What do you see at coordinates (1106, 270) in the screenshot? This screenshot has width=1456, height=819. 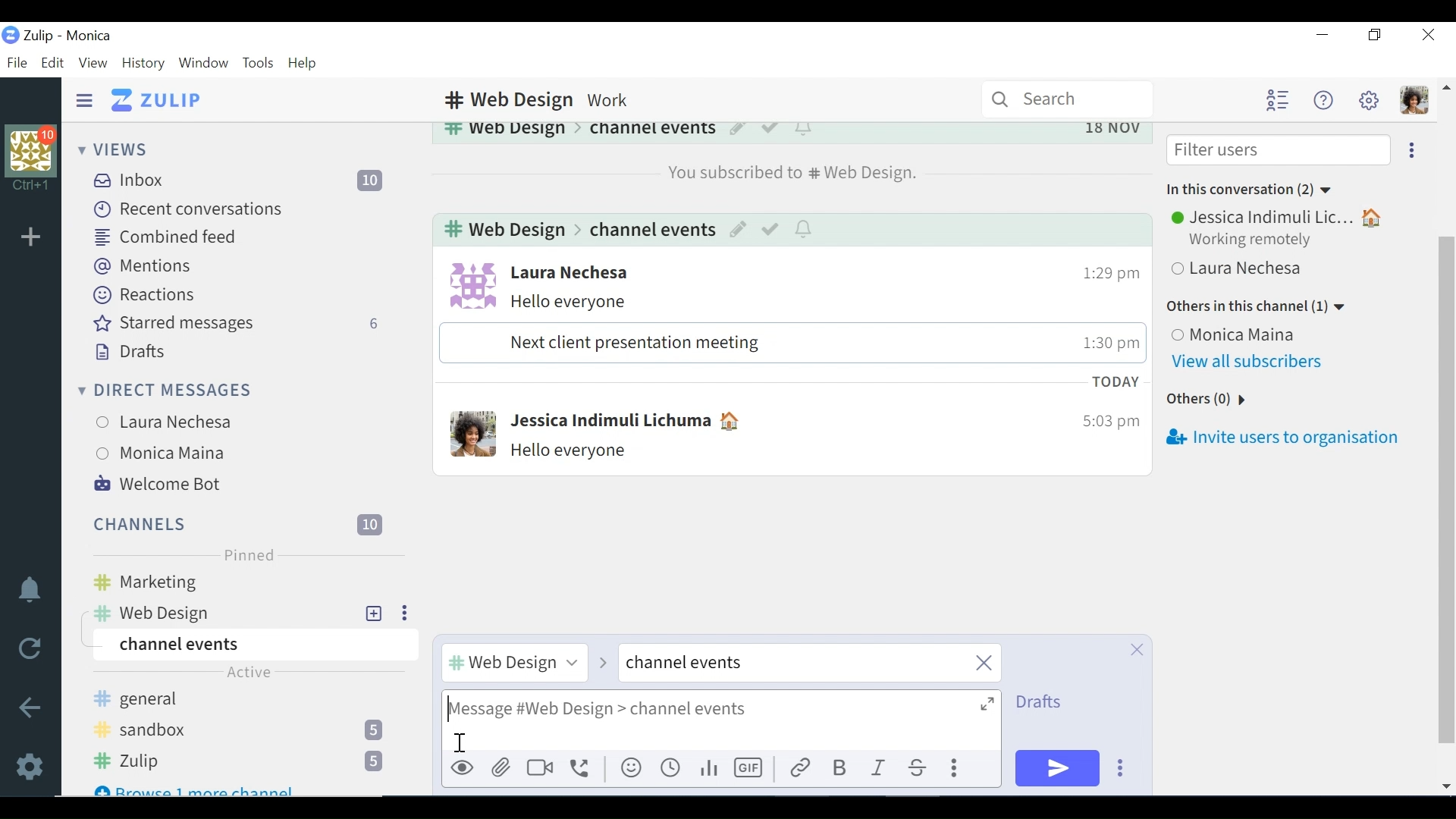 I see `time` at bounding box center [1106, 270].